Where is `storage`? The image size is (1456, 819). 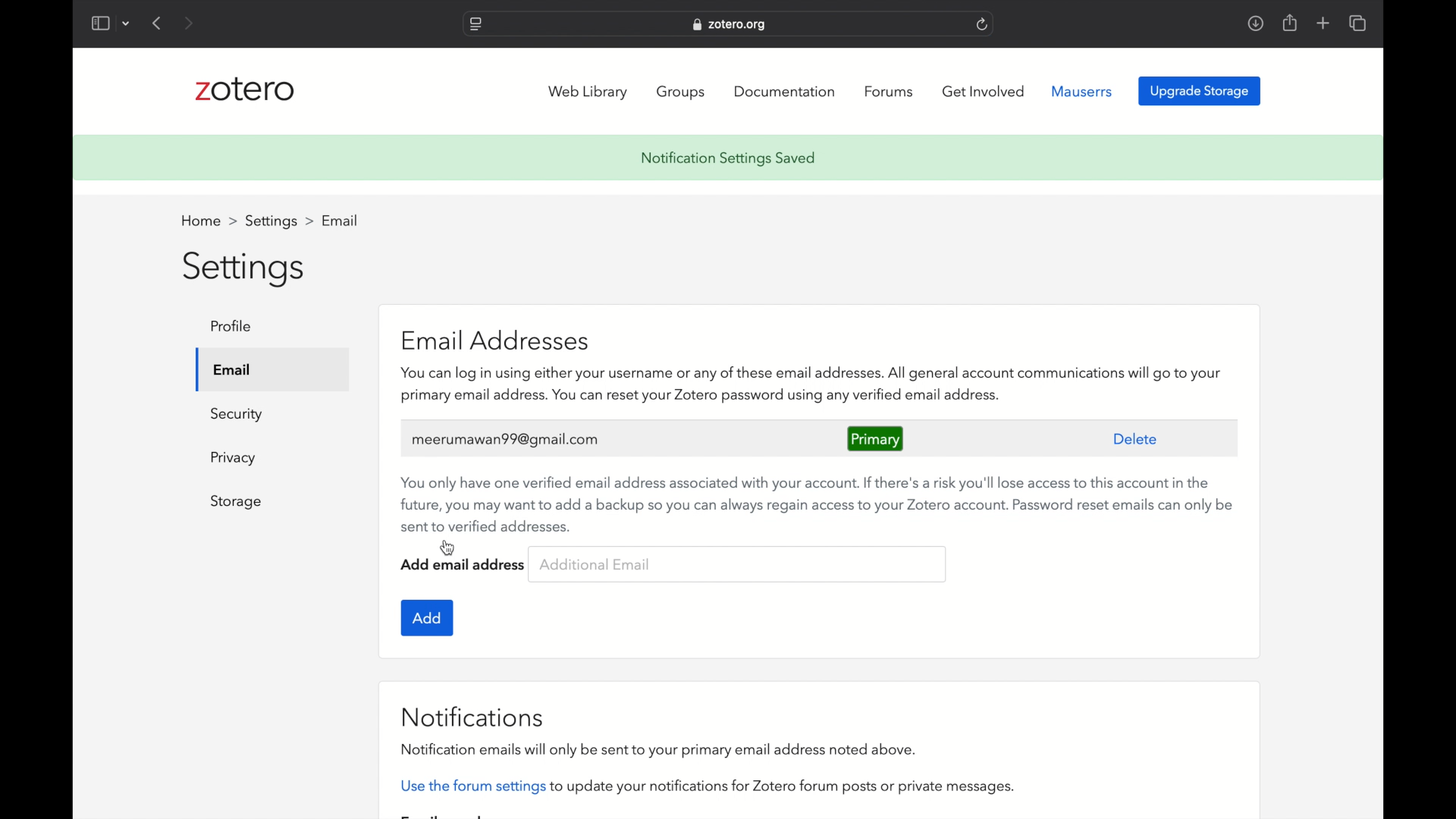 storage is located at coordinates (237, 502).